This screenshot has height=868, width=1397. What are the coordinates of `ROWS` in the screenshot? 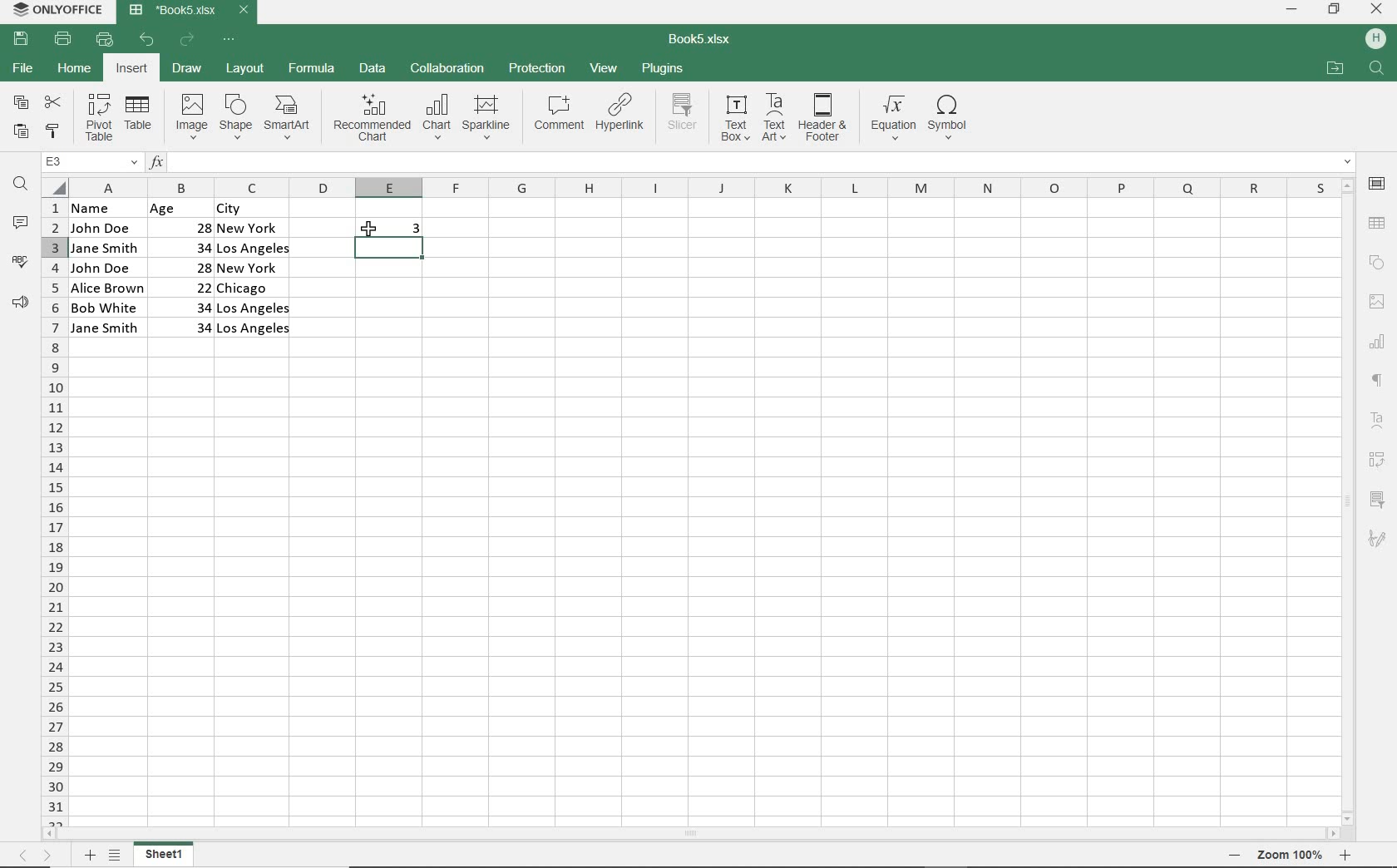 It's located at (52, 510).